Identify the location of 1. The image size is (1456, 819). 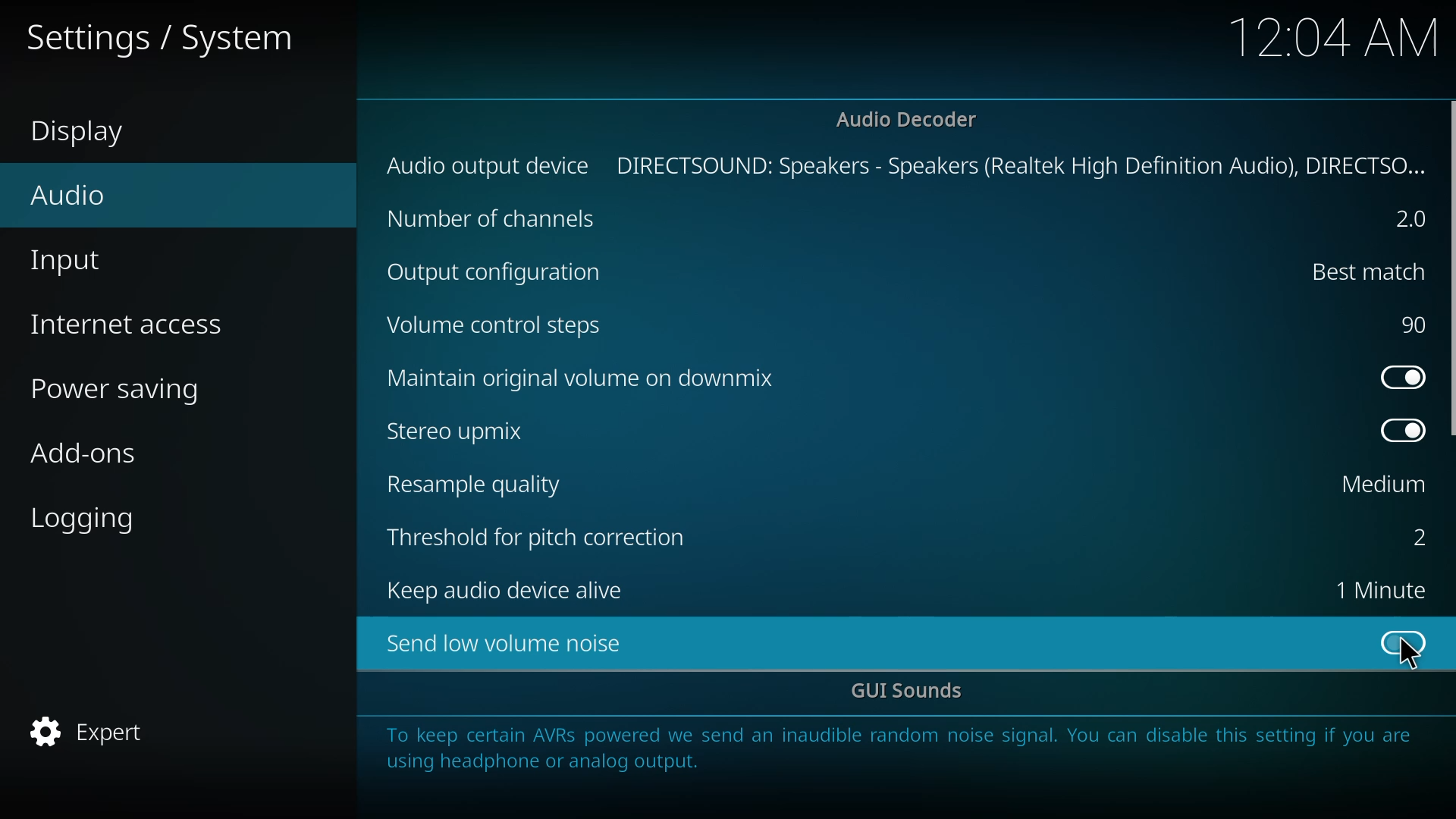
(1379, 590).